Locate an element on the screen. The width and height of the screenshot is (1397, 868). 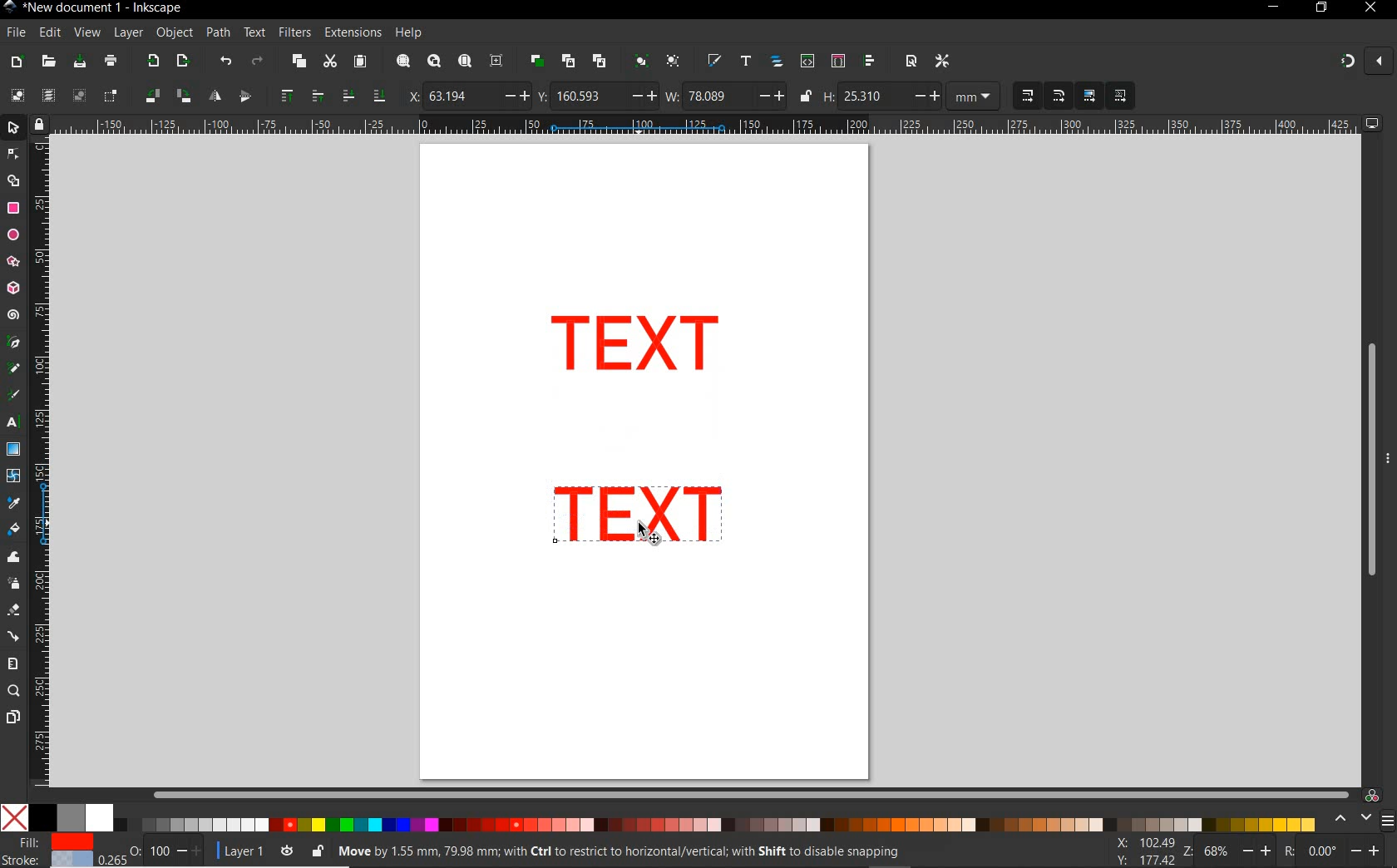
dropper is located at coordinates (14, 503).